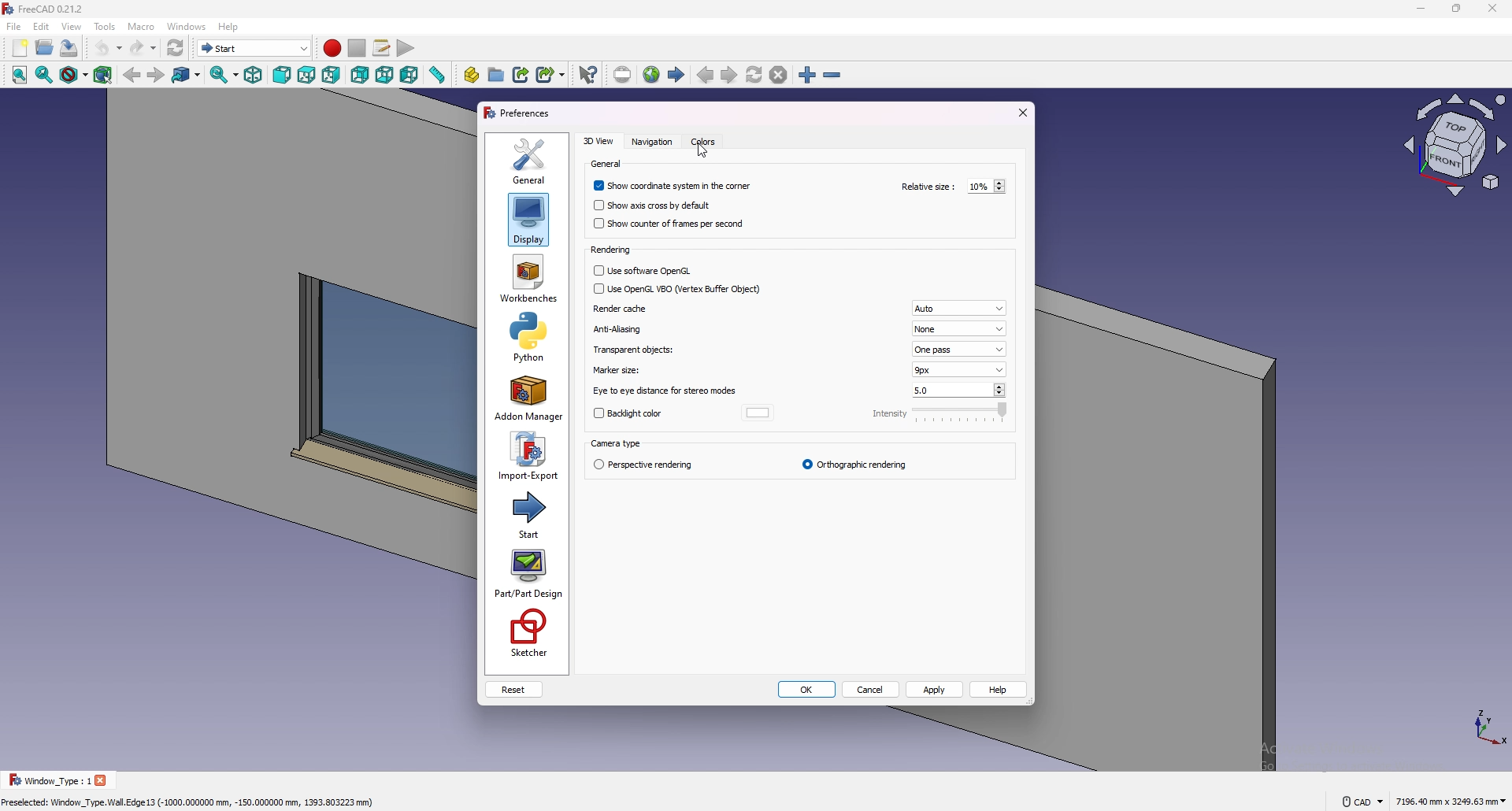 This screenshot has height=811, width=1512. I want to click on exit, so click(1023, 111).